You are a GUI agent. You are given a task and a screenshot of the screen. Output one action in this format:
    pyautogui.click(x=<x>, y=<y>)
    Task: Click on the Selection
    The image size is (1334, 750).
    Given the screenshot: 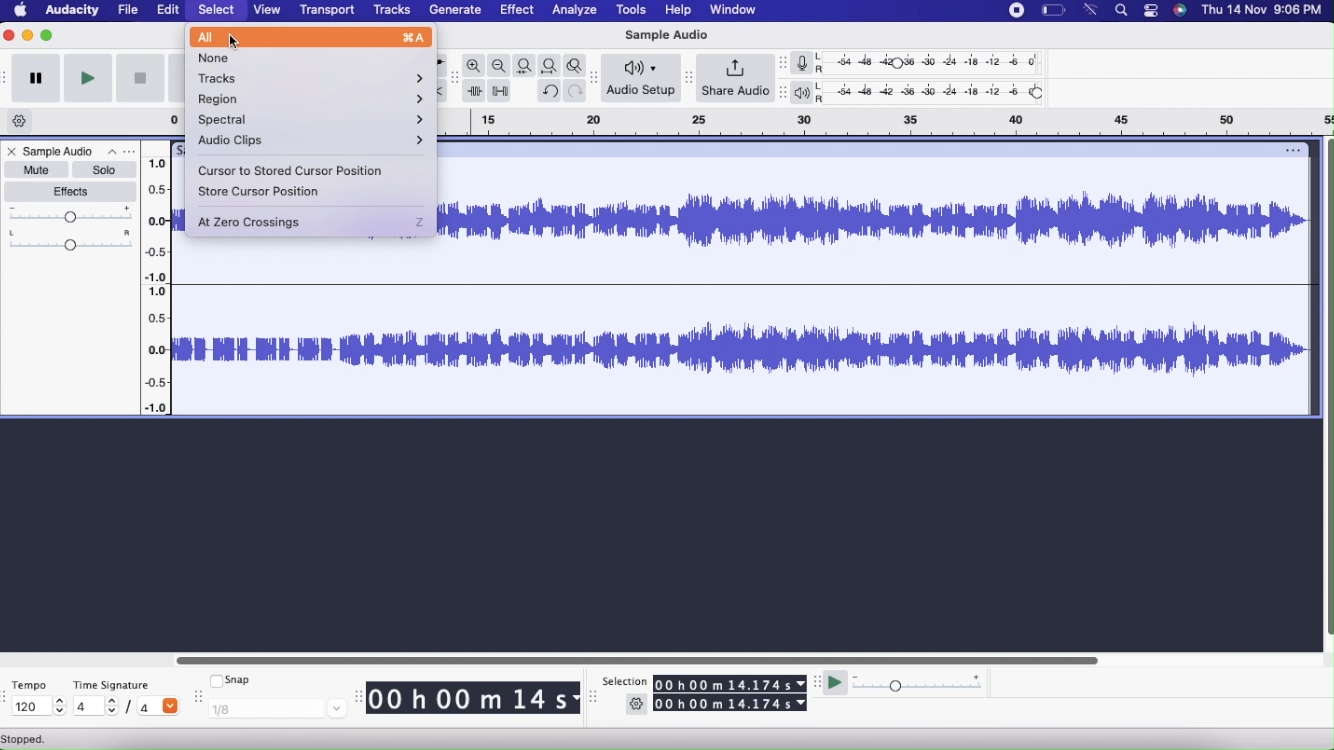 What is the action you would take?
    pyautogui.click(x=625, y=679)
    